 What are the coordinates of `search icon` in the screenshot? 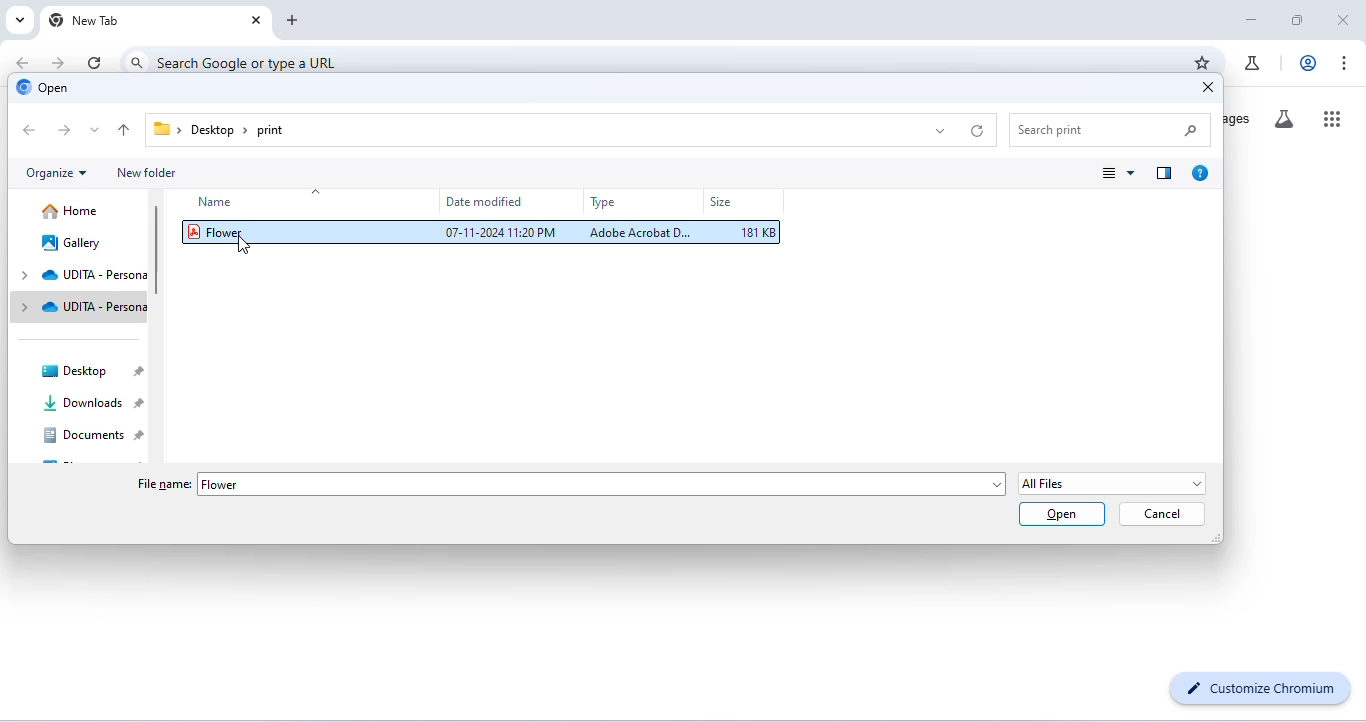 It's located at (137, 59).